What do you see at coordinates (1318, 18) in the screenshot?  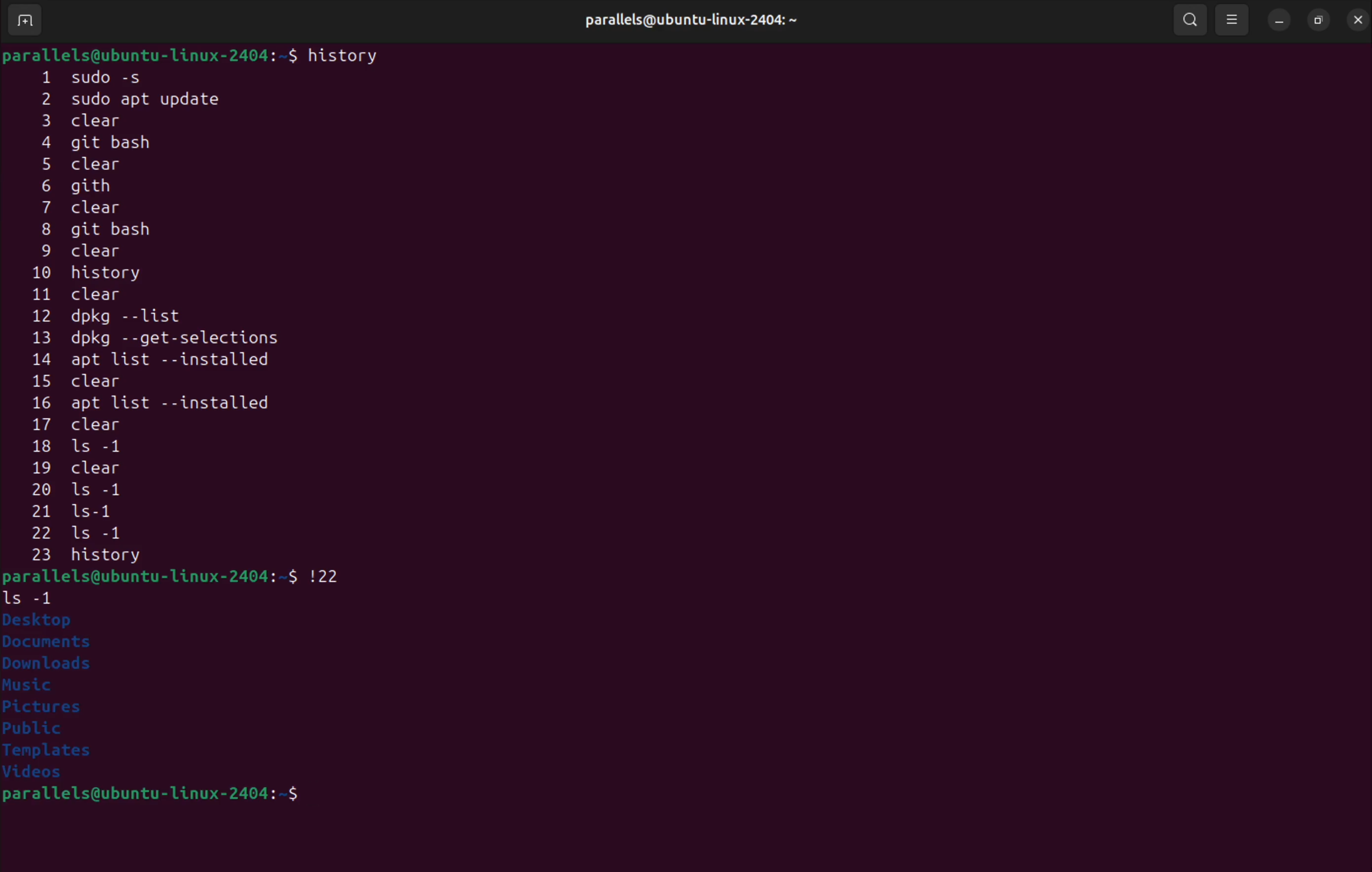 I see `resize` at bounding box center [1318, 18].